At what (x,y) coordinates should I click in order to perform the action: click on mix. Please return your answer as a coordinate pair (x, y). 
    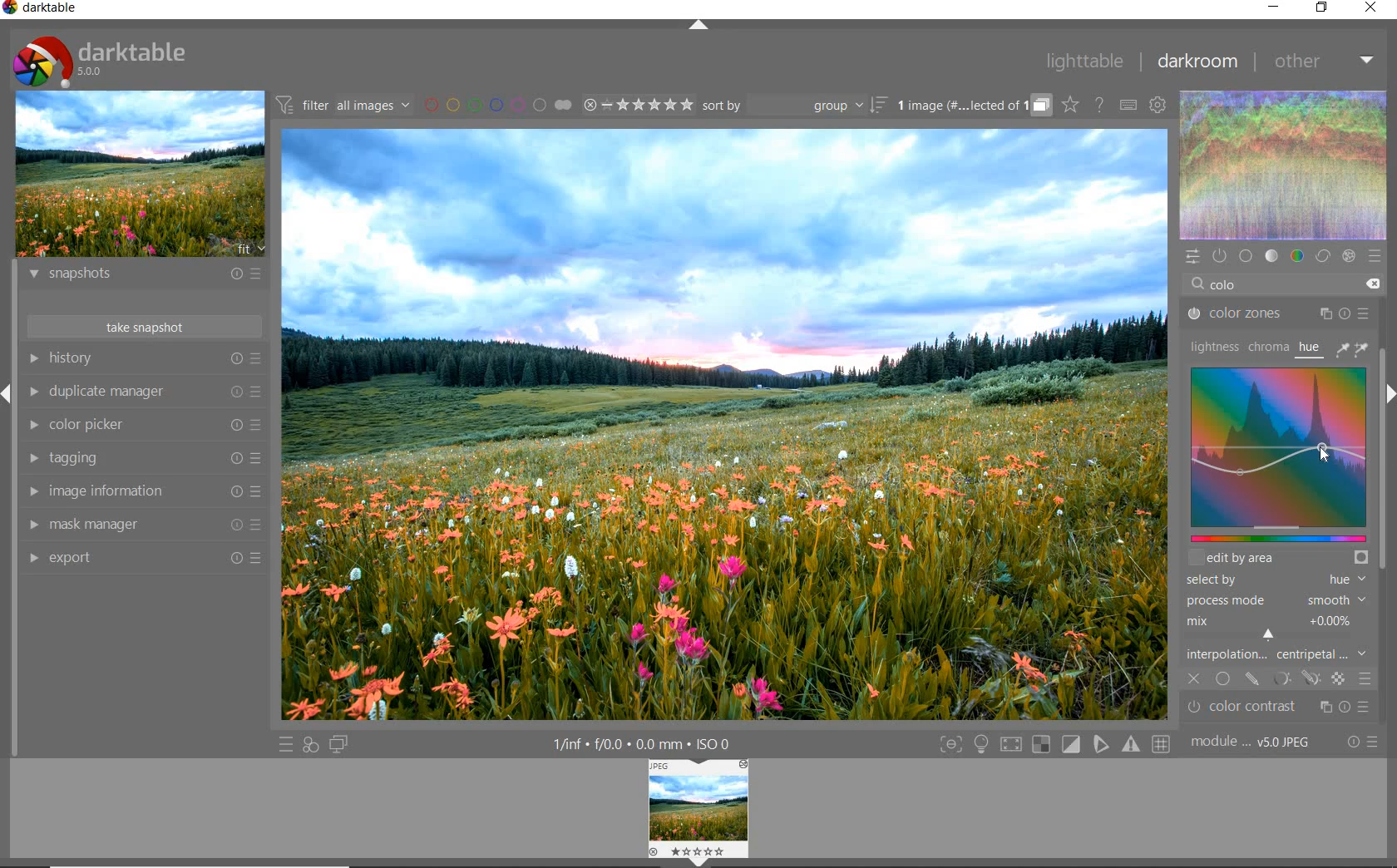
    Looking at the image, I should click on (1279, 628).